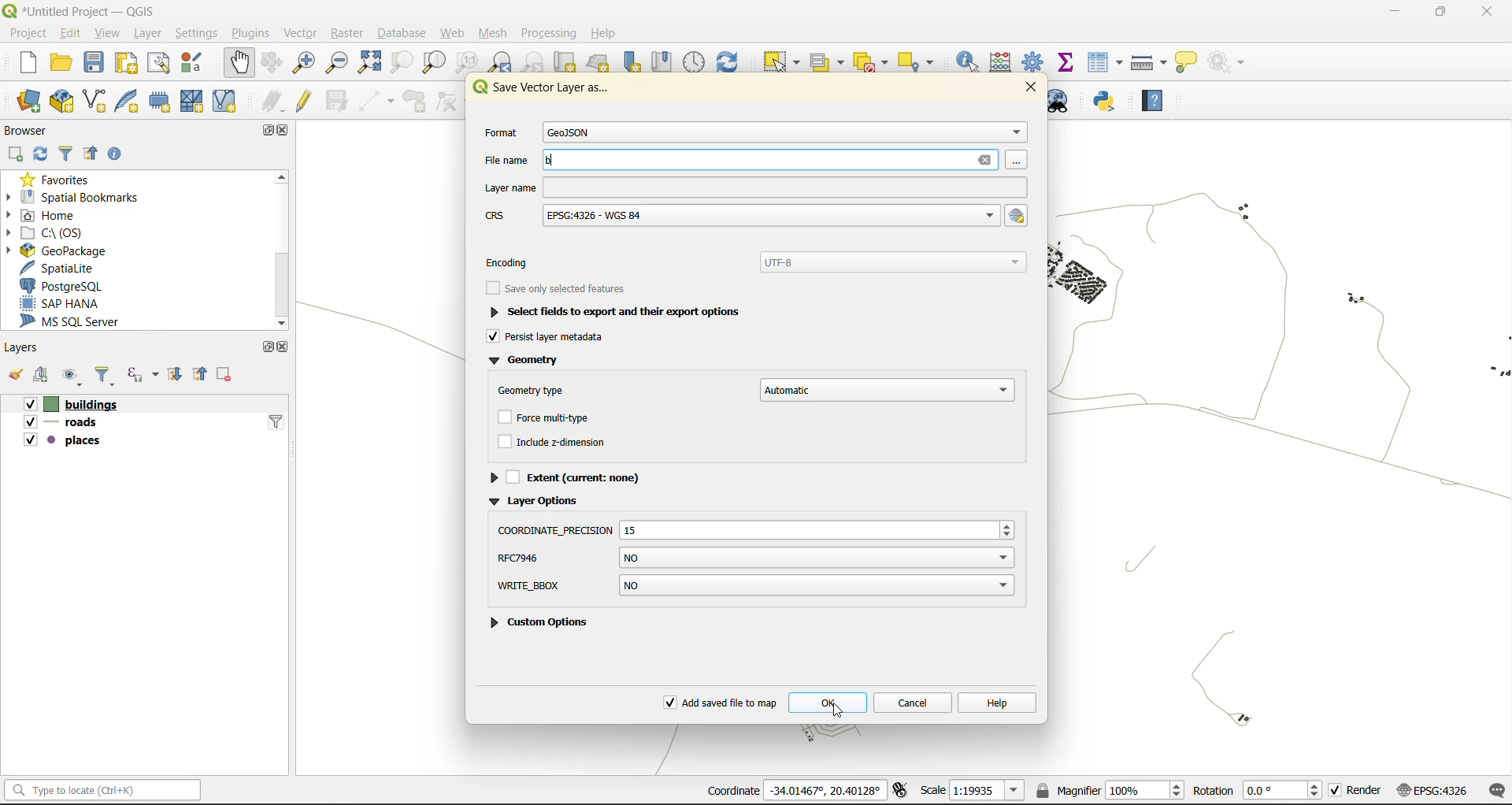  Describe the element at coordinates (377, 101) in the screenshot. I see `digitize` at that location.